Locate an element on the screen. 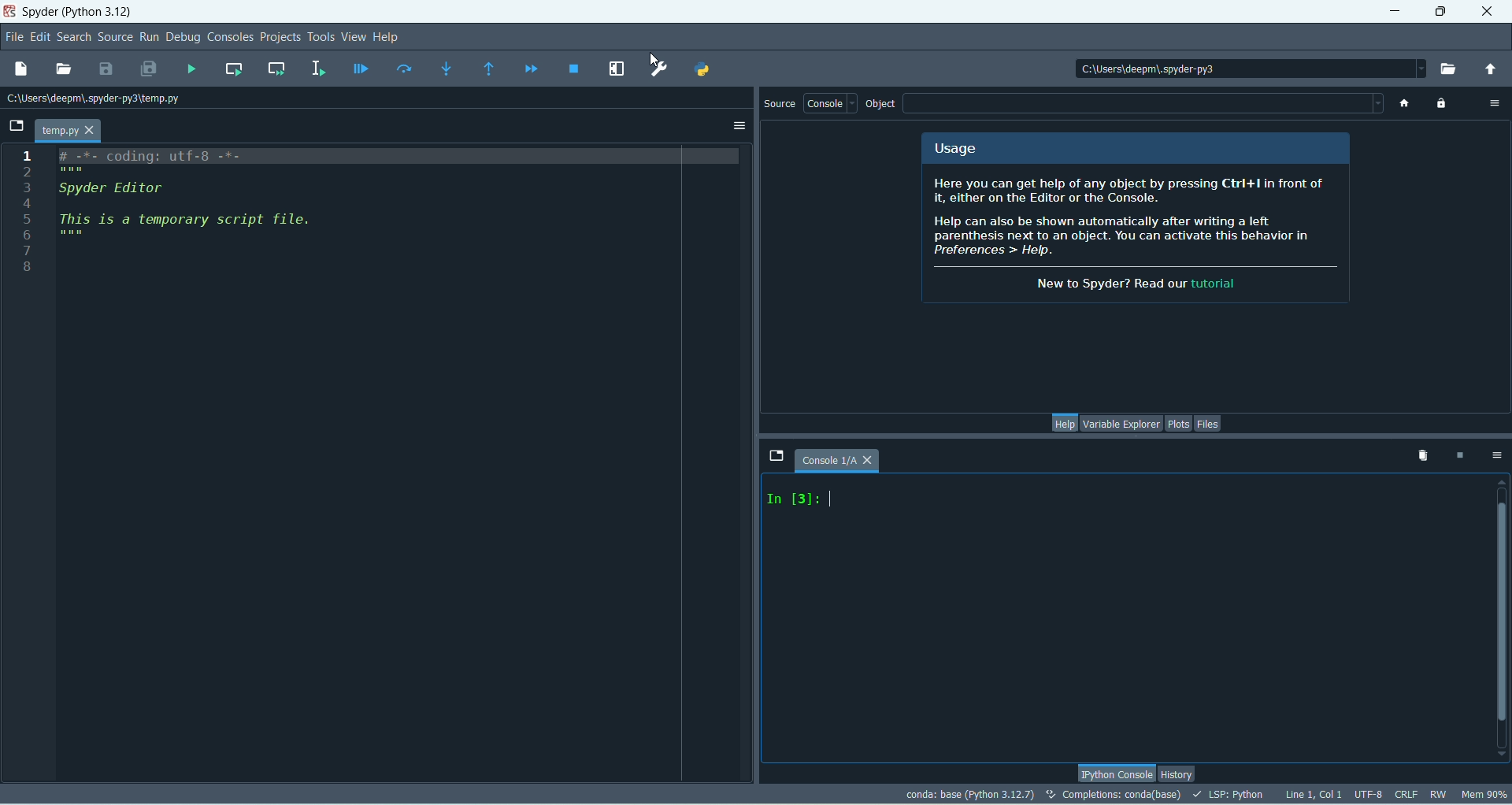 This screenshot has height=805, width=1512. browse tabs is located at coordinates (777, 458).